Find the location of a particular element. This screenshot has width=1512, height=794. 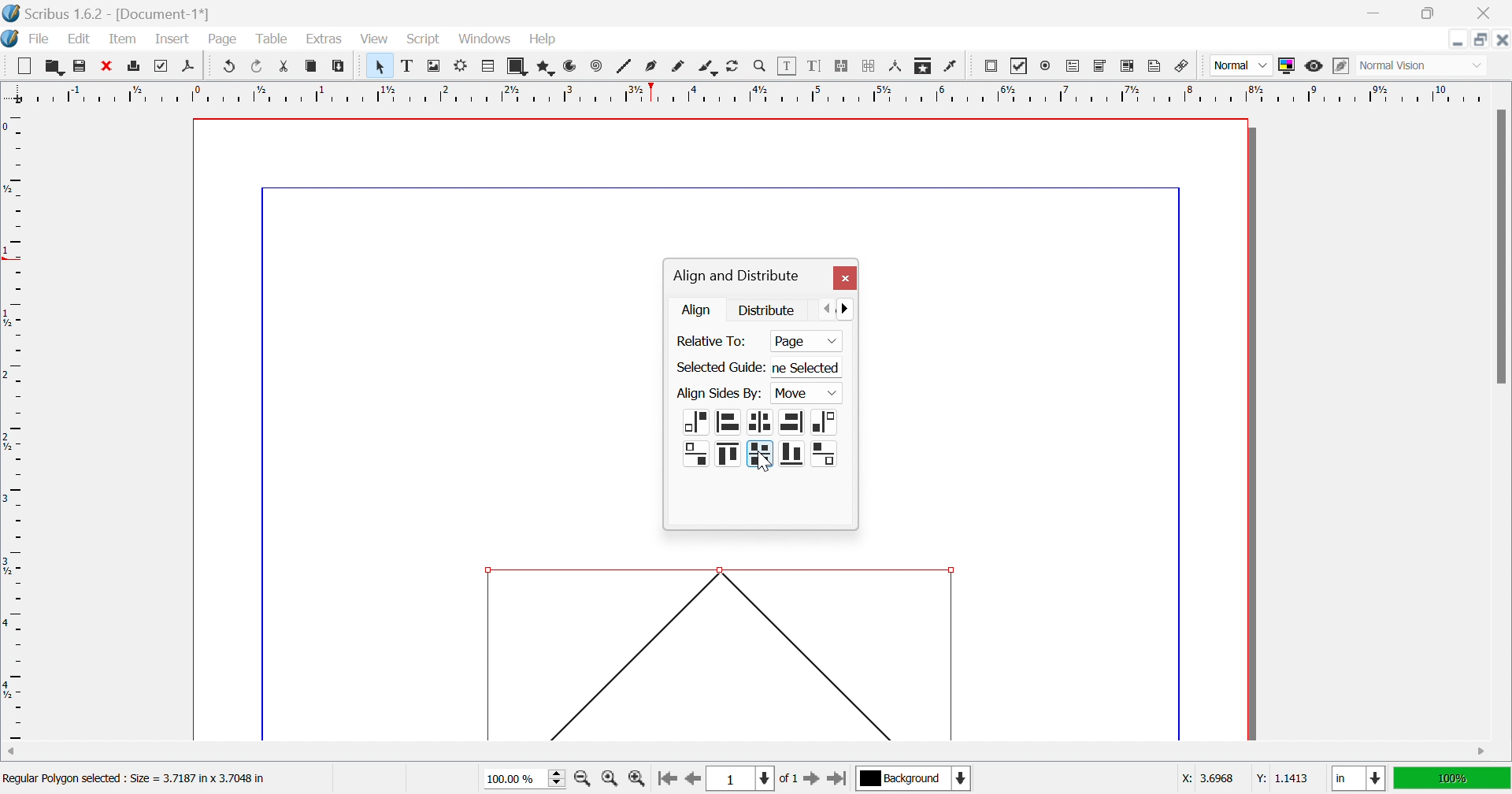

Select the image preview quality is located at coordinates (1240, 65).